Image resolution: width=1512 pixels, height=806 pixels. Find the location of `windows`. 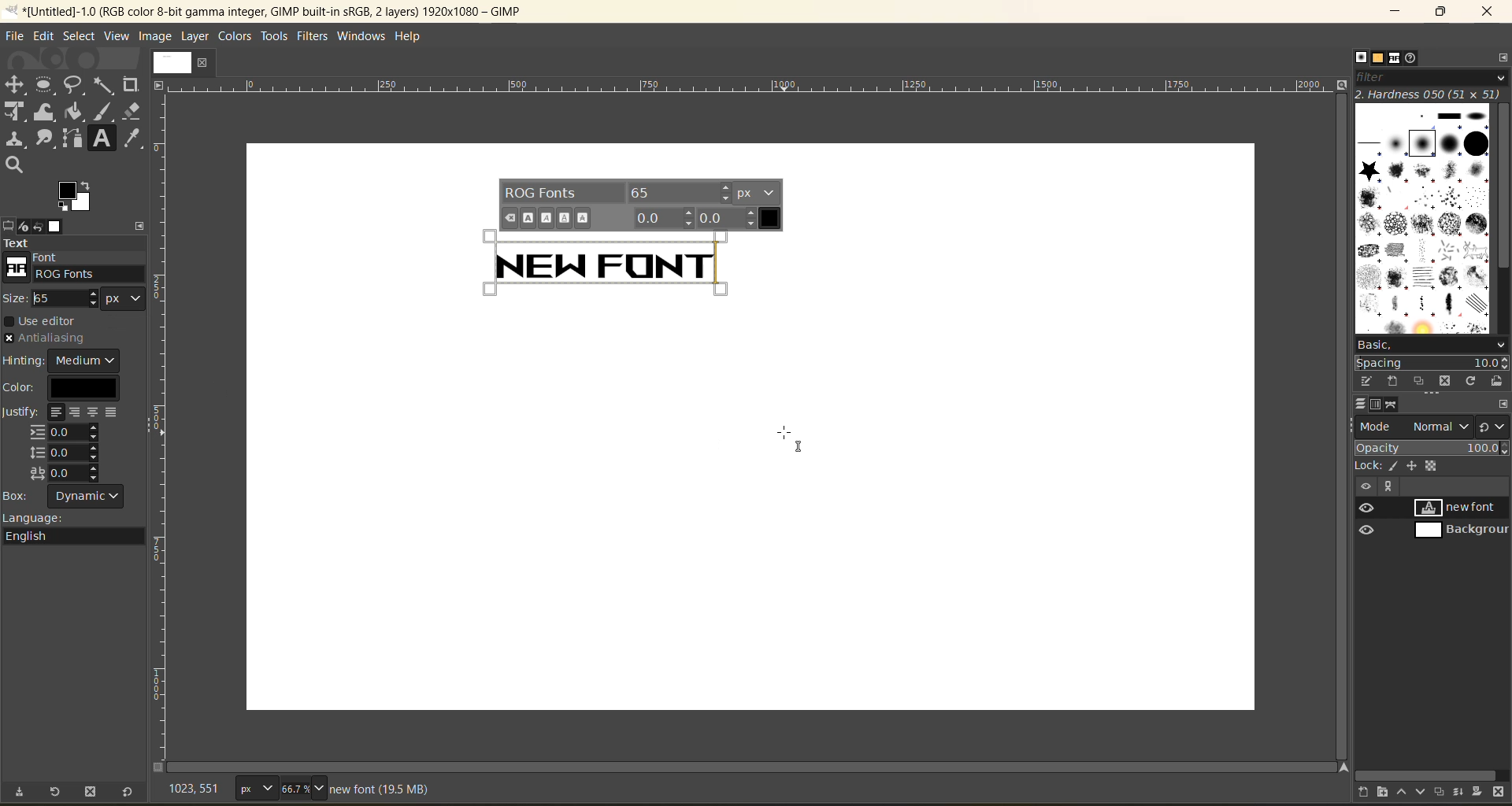

windows is located at coordinates (365, 35).